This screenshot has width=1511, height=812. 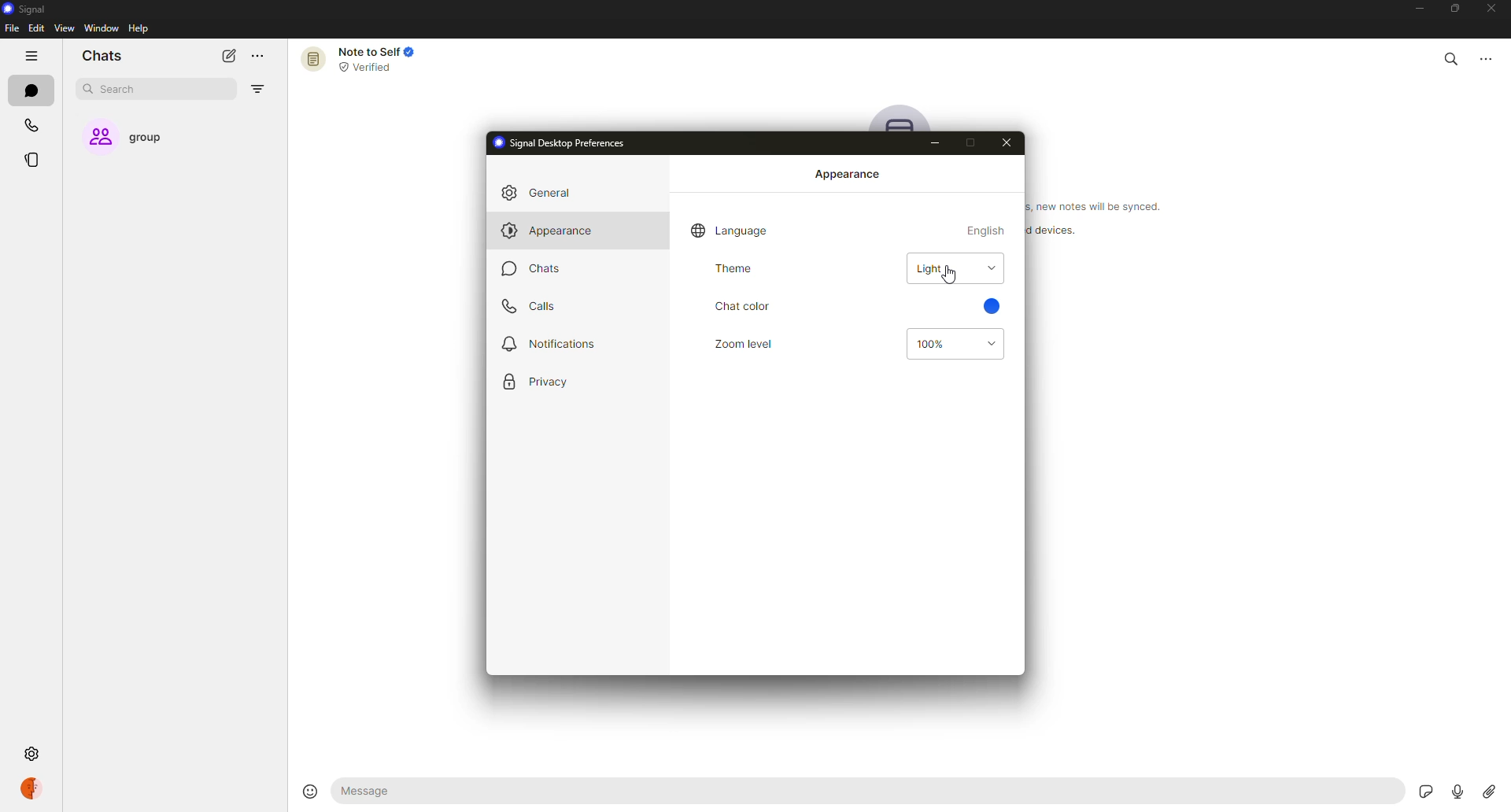 I want to click on profile, so click(x=35, y=792).